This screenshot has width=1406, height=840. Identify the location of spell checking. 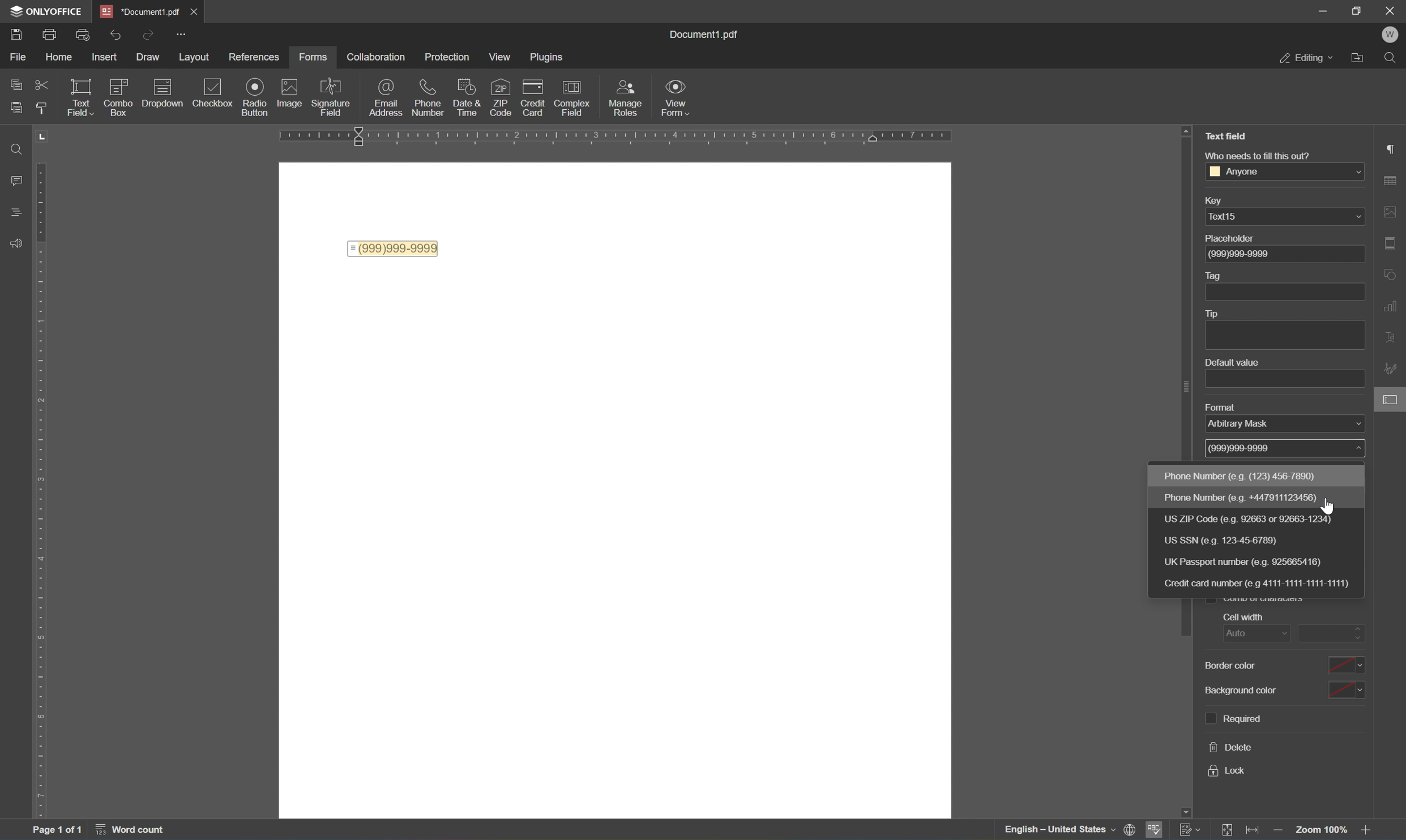
(1155, 830).